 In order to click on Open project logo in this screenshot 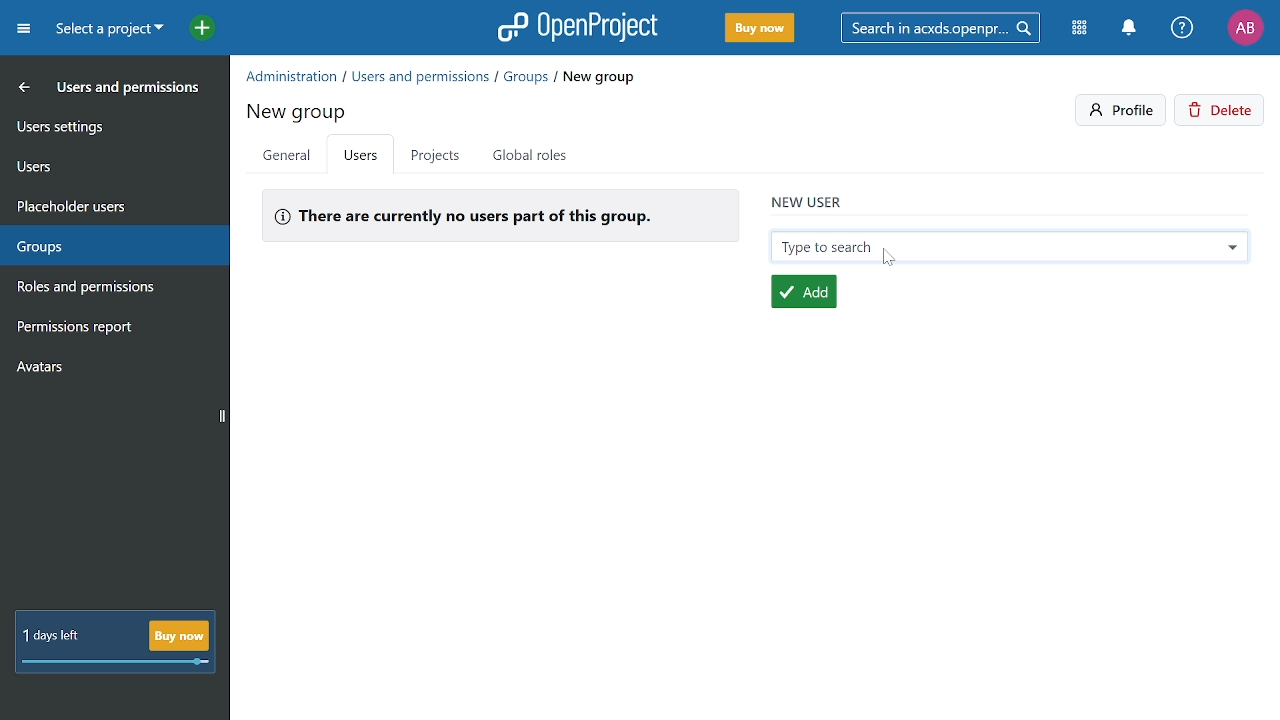, I will do `click(578, 27)`.